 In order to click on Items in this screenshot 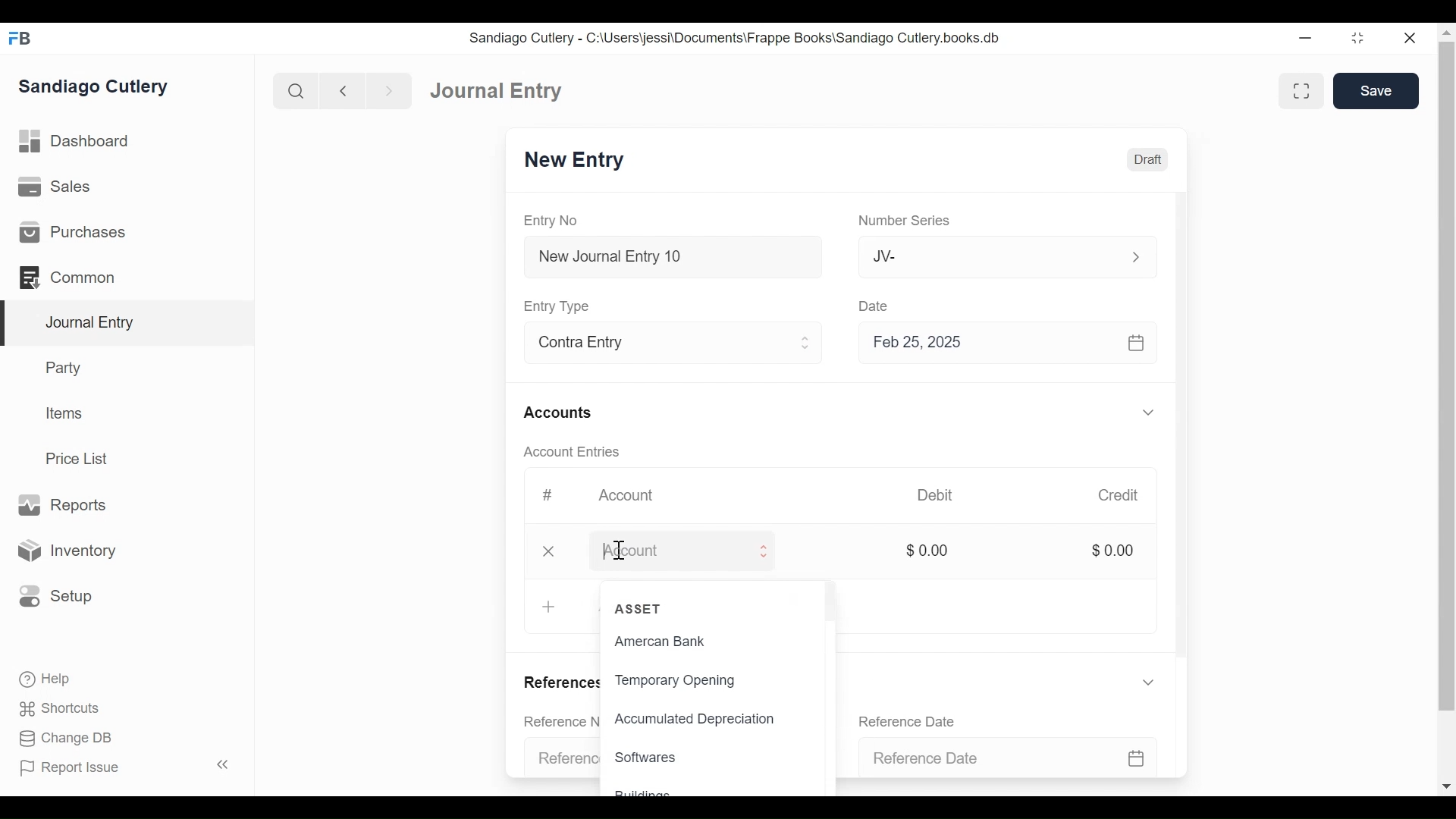, I will do `click(66, 415)`.